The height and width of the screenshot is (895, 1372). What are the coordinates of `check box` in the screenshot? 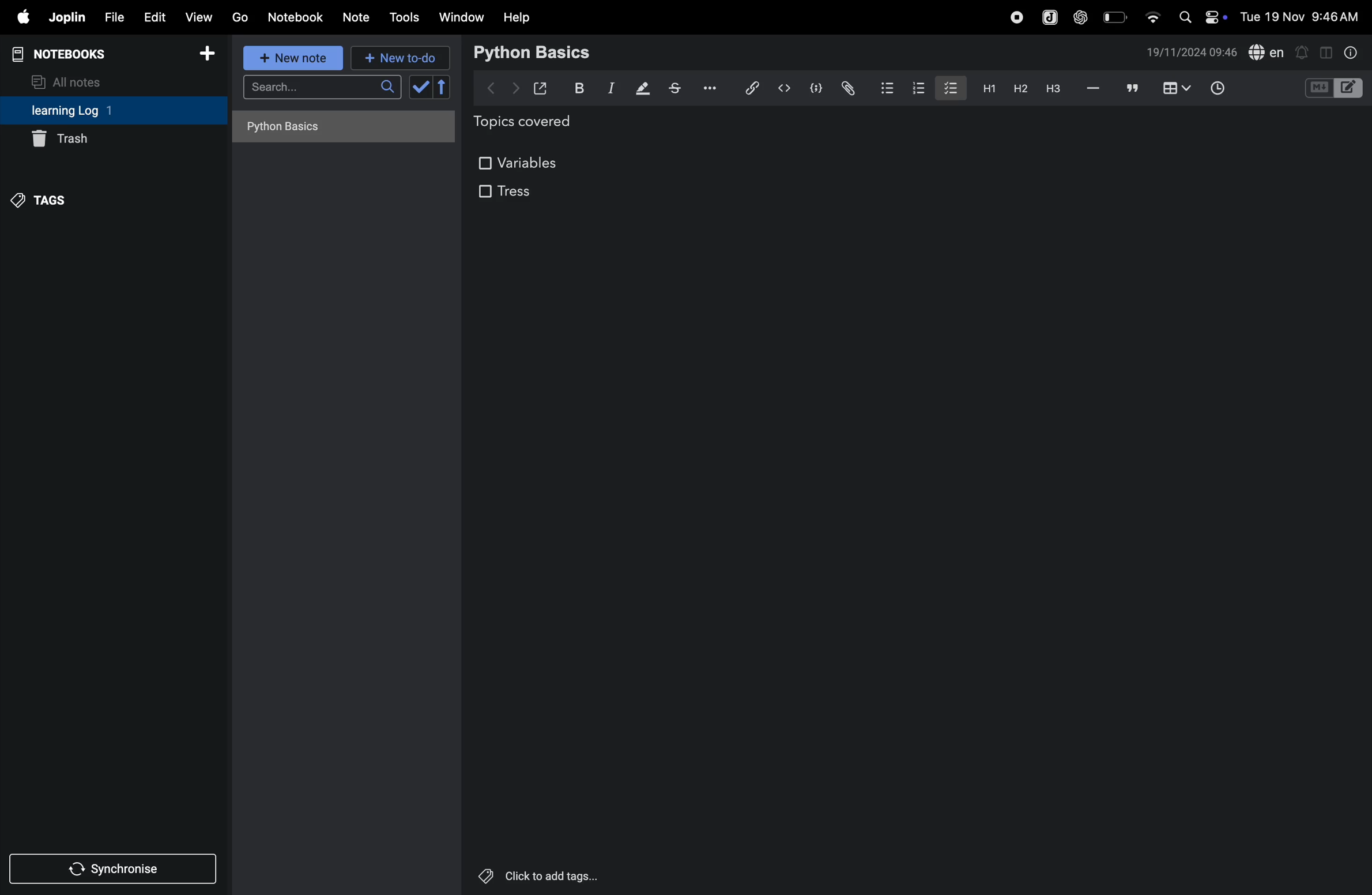 It's located at (432, 87).